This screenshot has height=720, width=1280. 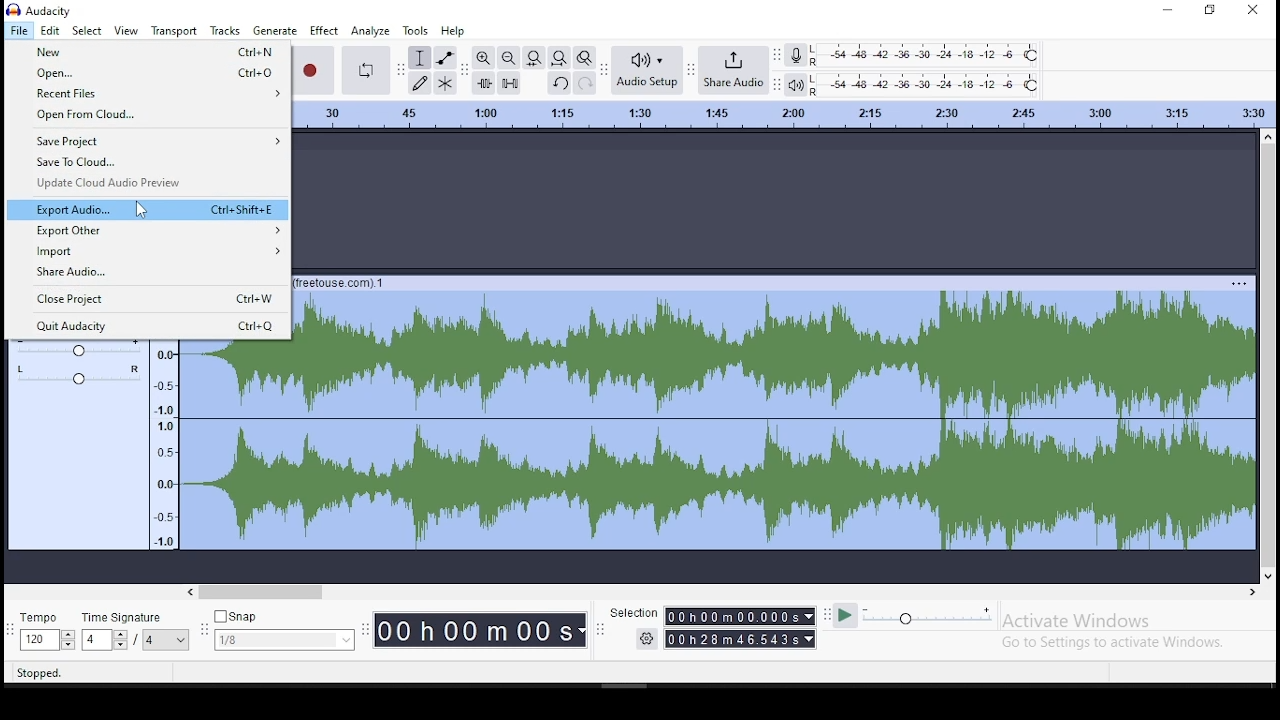 What do you see at coordinates (559, 59) in the screenshot?
I see `fit to project to width` at bounding box center [559, 59].